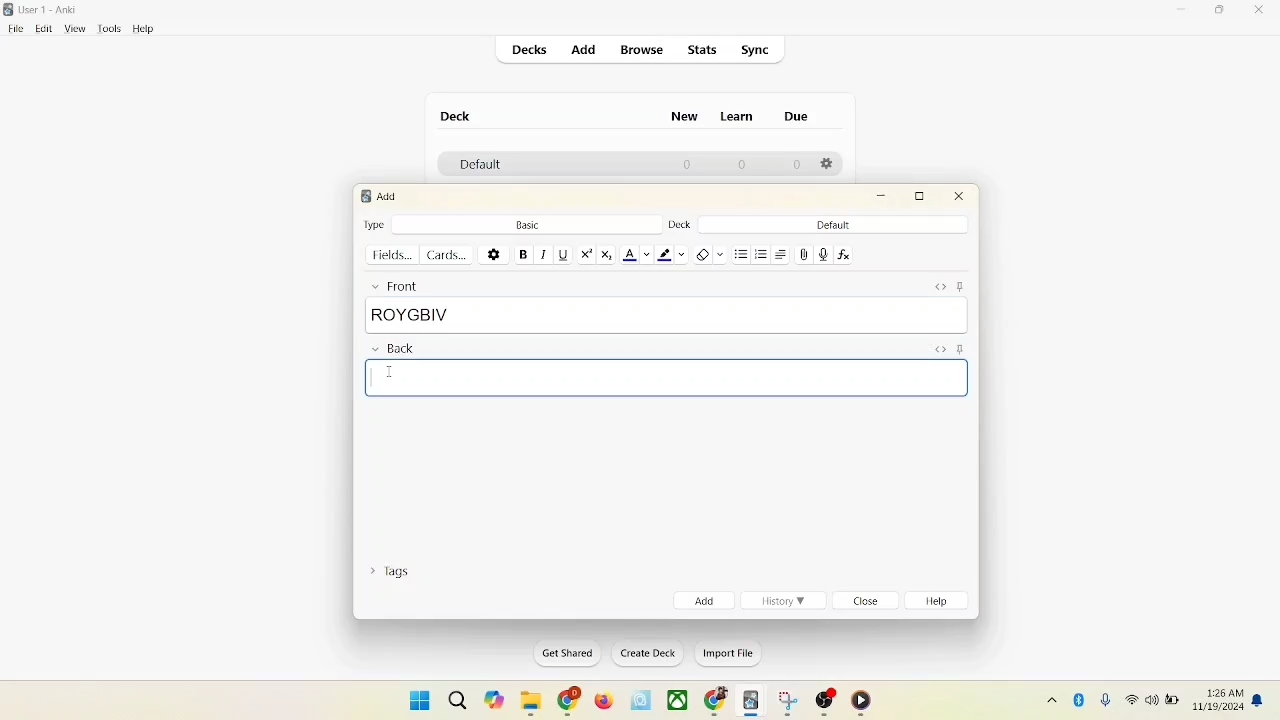  Describe the element at coordinates (561, 653) in the screenshot. I see `get shared` at that location.